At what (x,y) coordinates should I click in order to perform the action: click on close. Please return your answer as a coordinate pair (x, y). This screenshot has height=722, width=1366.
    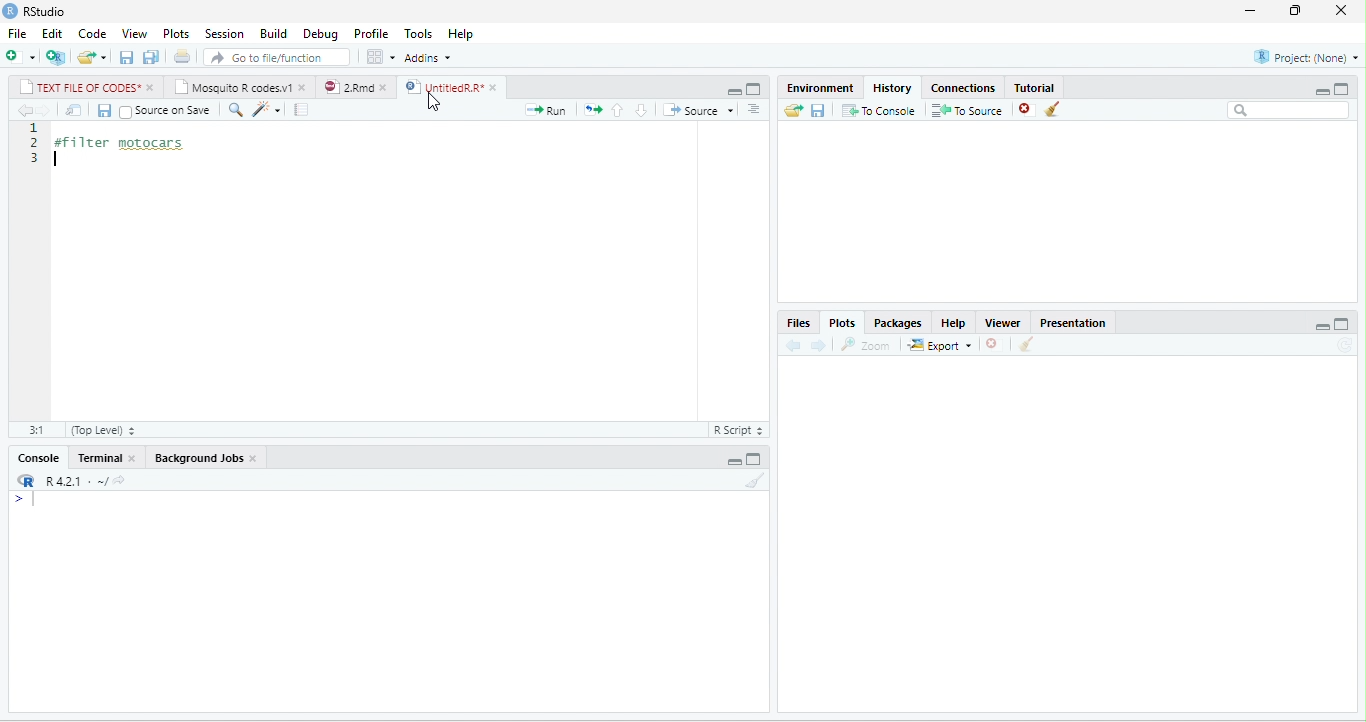
    Looking at the image, I should click on (496, 88).